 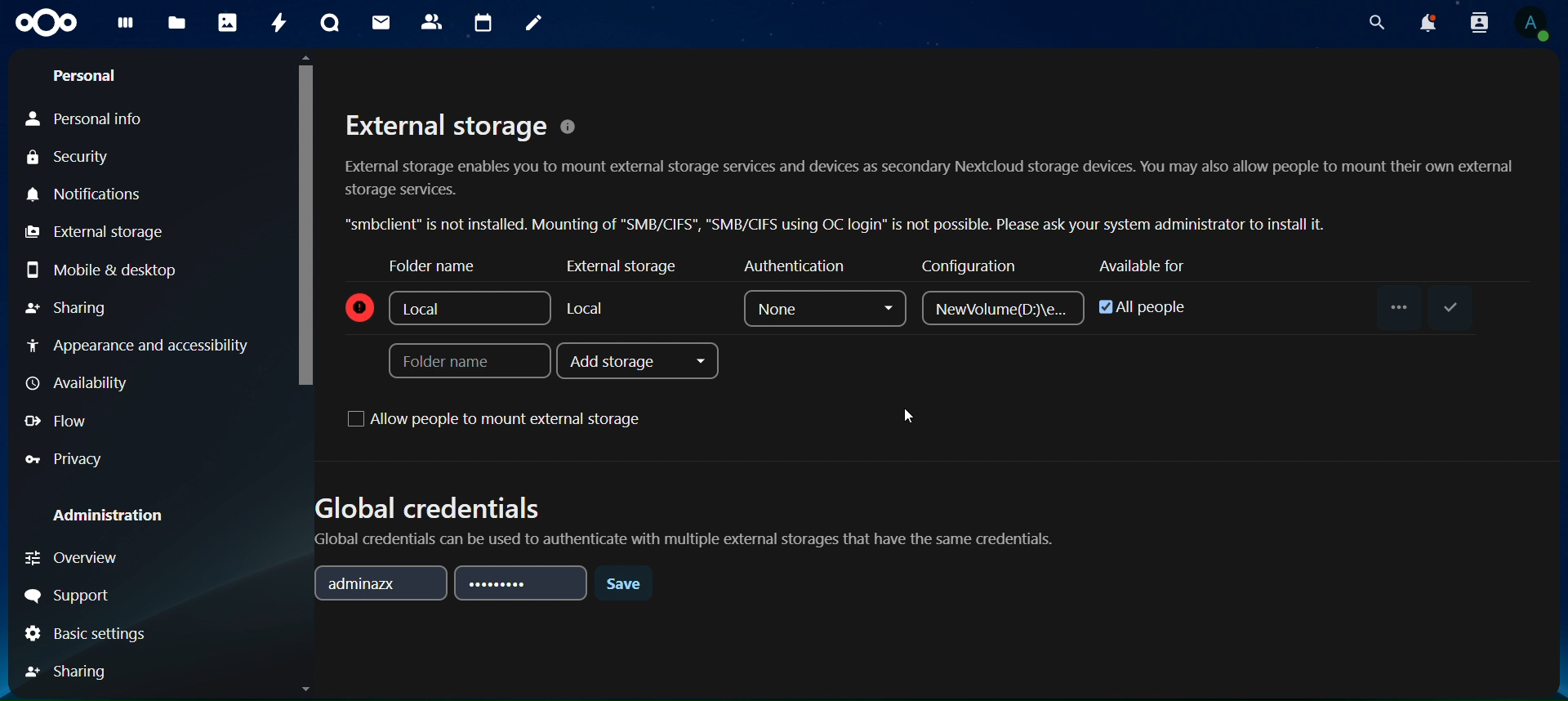 What do you see at coordinates (73, 592) in the screenshot?
I see `support` at bounding box center [73, 592].